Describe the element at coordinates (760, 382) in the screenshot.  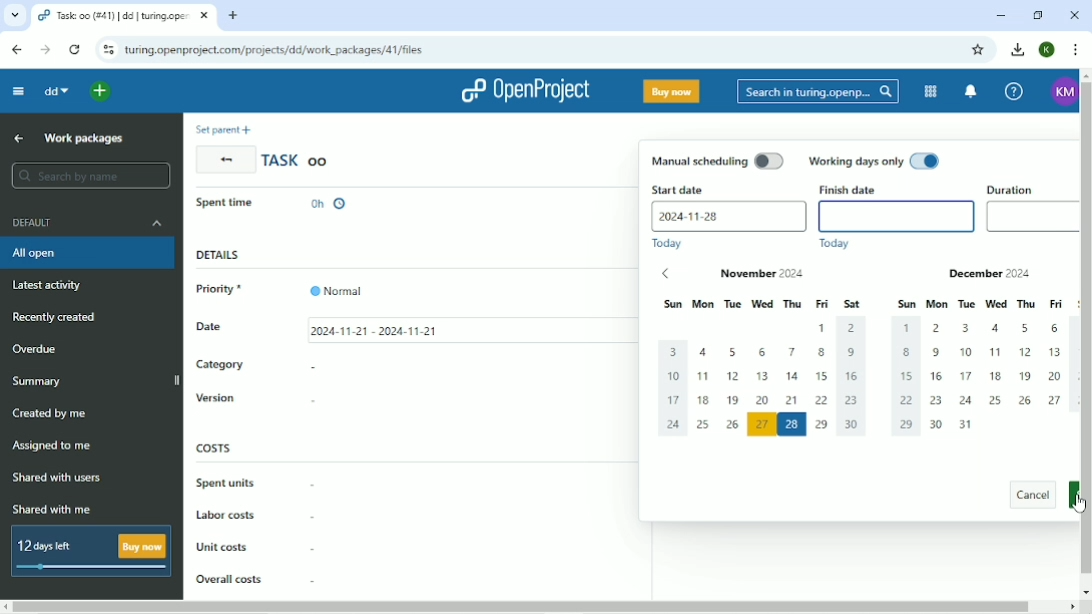
I see `dates of november 2024` at that location.